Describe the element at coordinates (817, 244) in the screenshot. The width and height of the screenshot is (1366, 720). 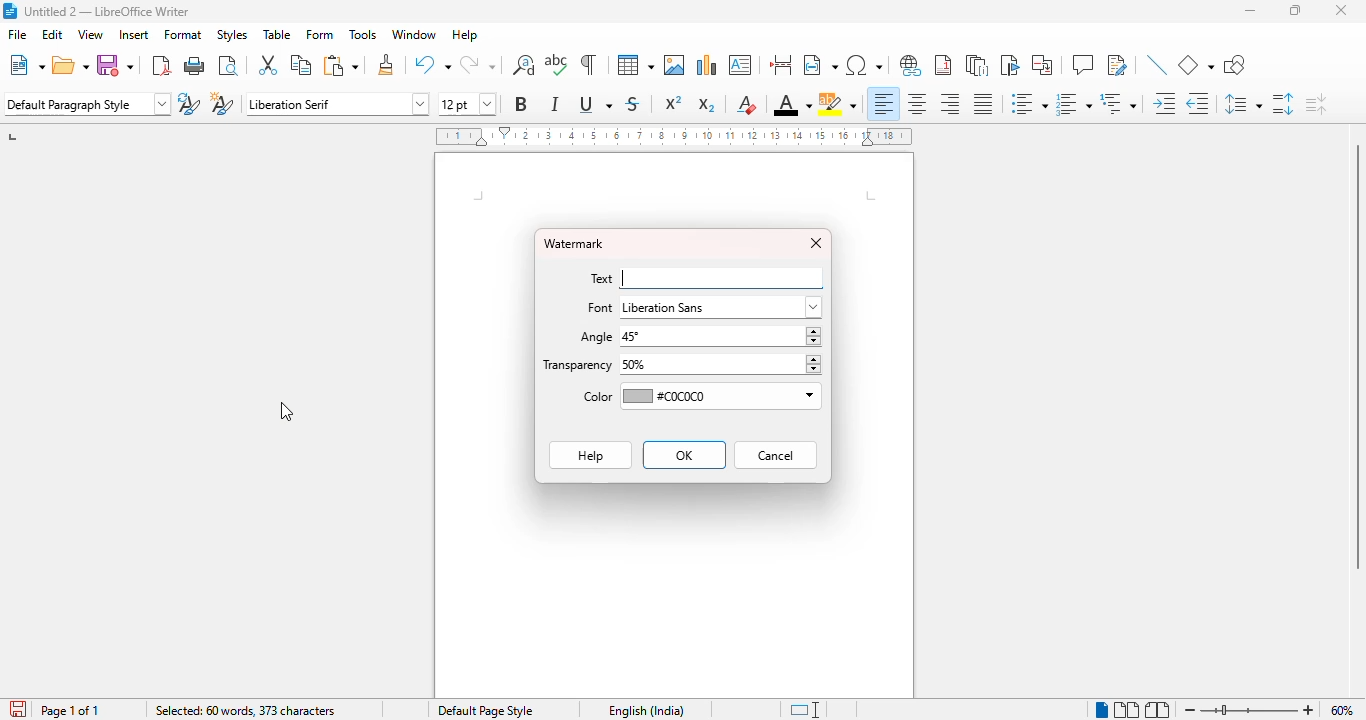
I see `close` at that location.